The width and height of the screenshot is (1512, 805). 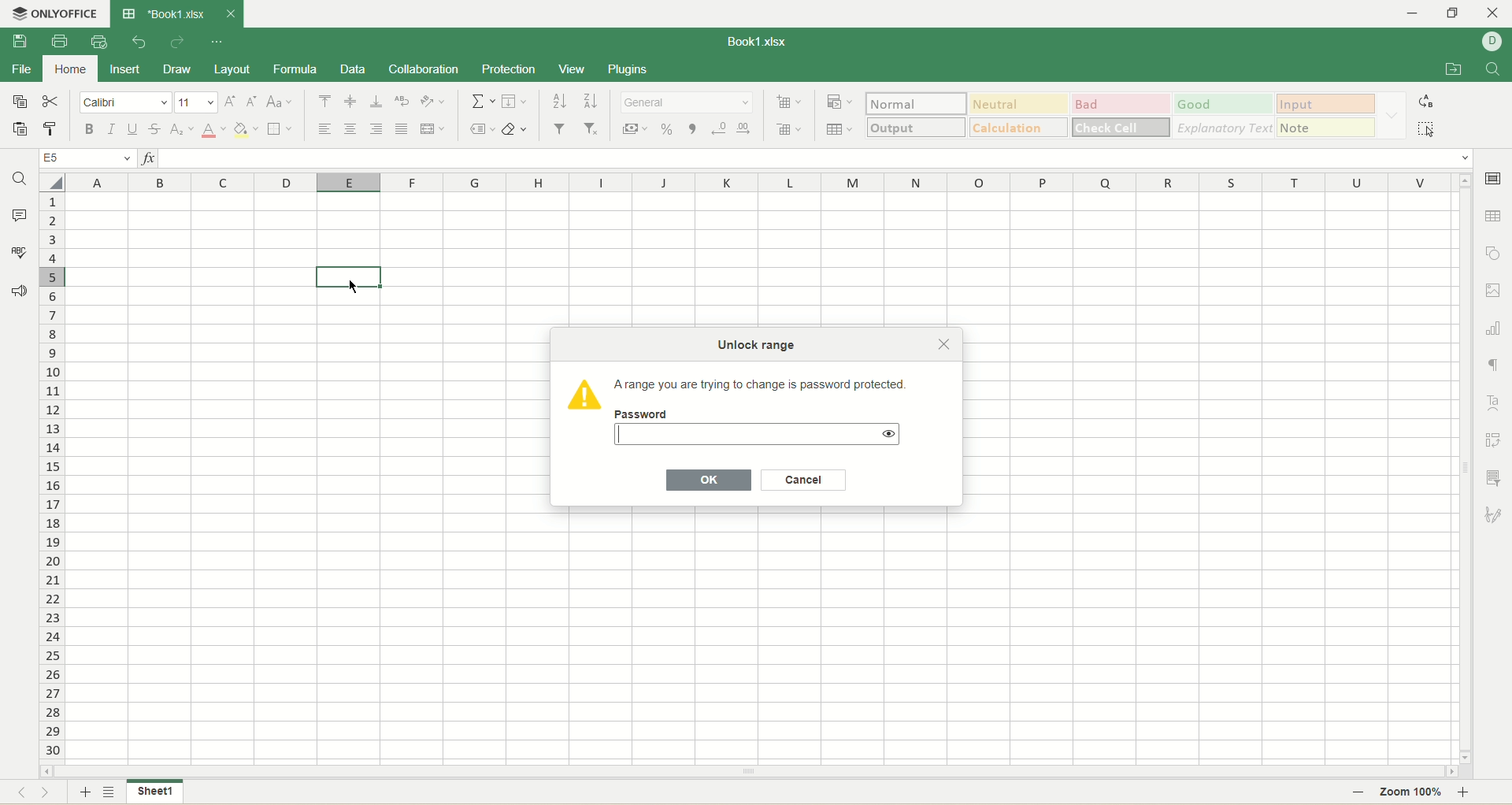 I want to click on ‘Arange you are trying to change is password protected., so click(x=763, y=384).